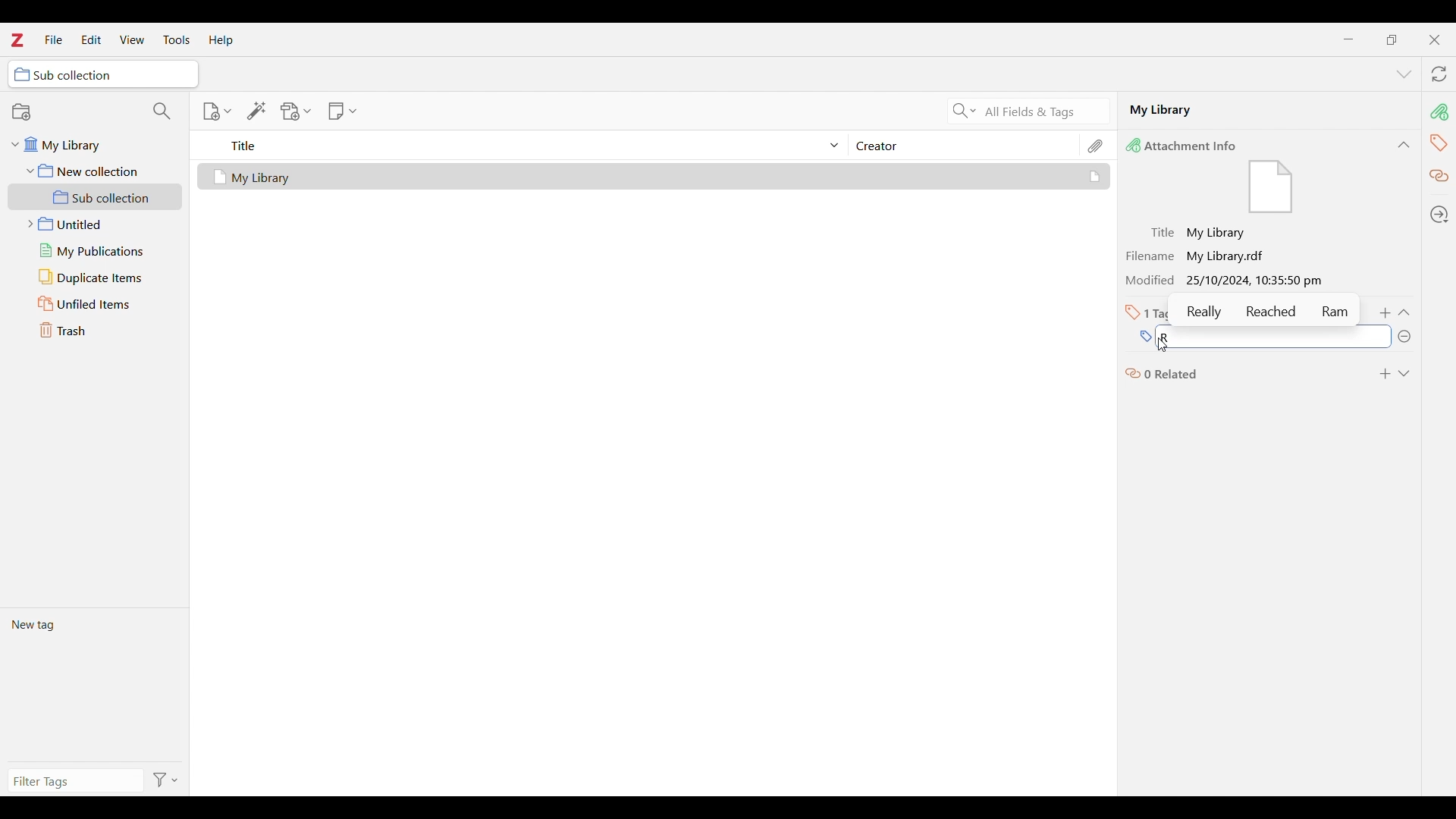  I want to click on Edit menu, so click(91, 39).